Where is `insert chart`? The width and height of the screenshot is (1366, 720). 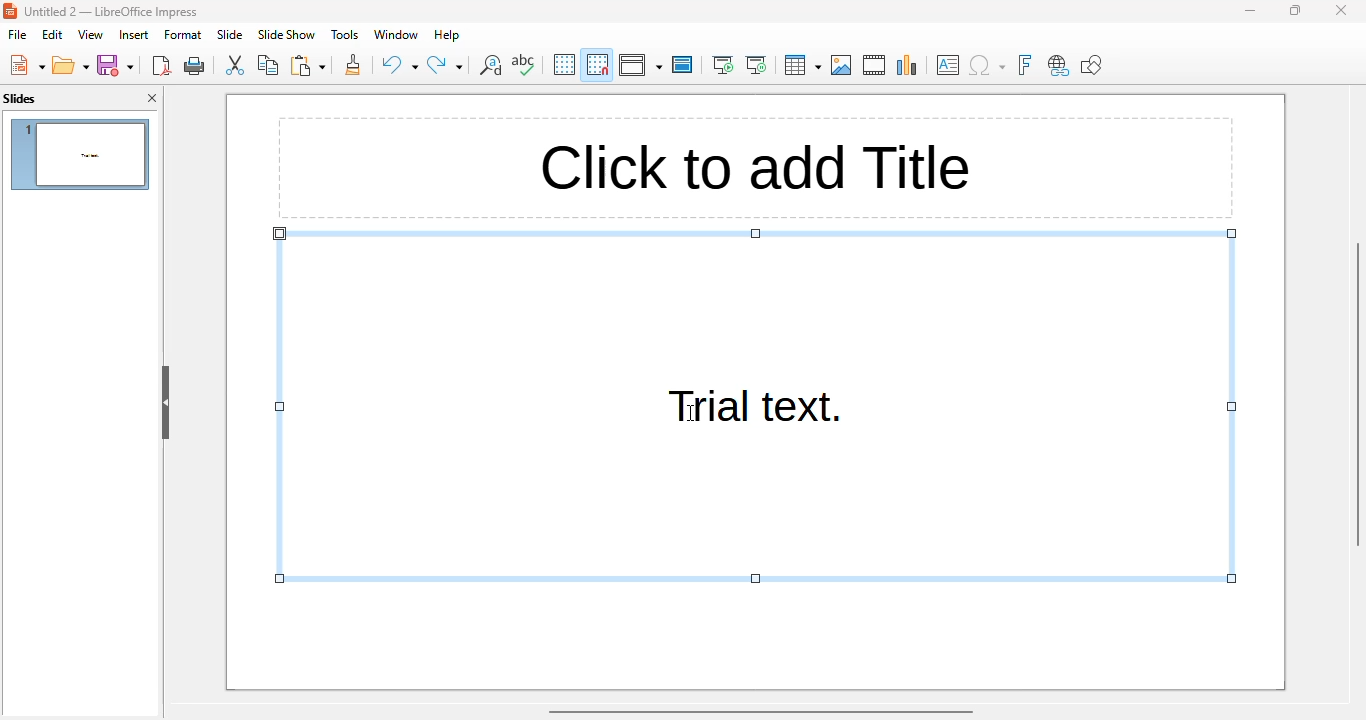 insert chart is located at coordinates (908, 65).